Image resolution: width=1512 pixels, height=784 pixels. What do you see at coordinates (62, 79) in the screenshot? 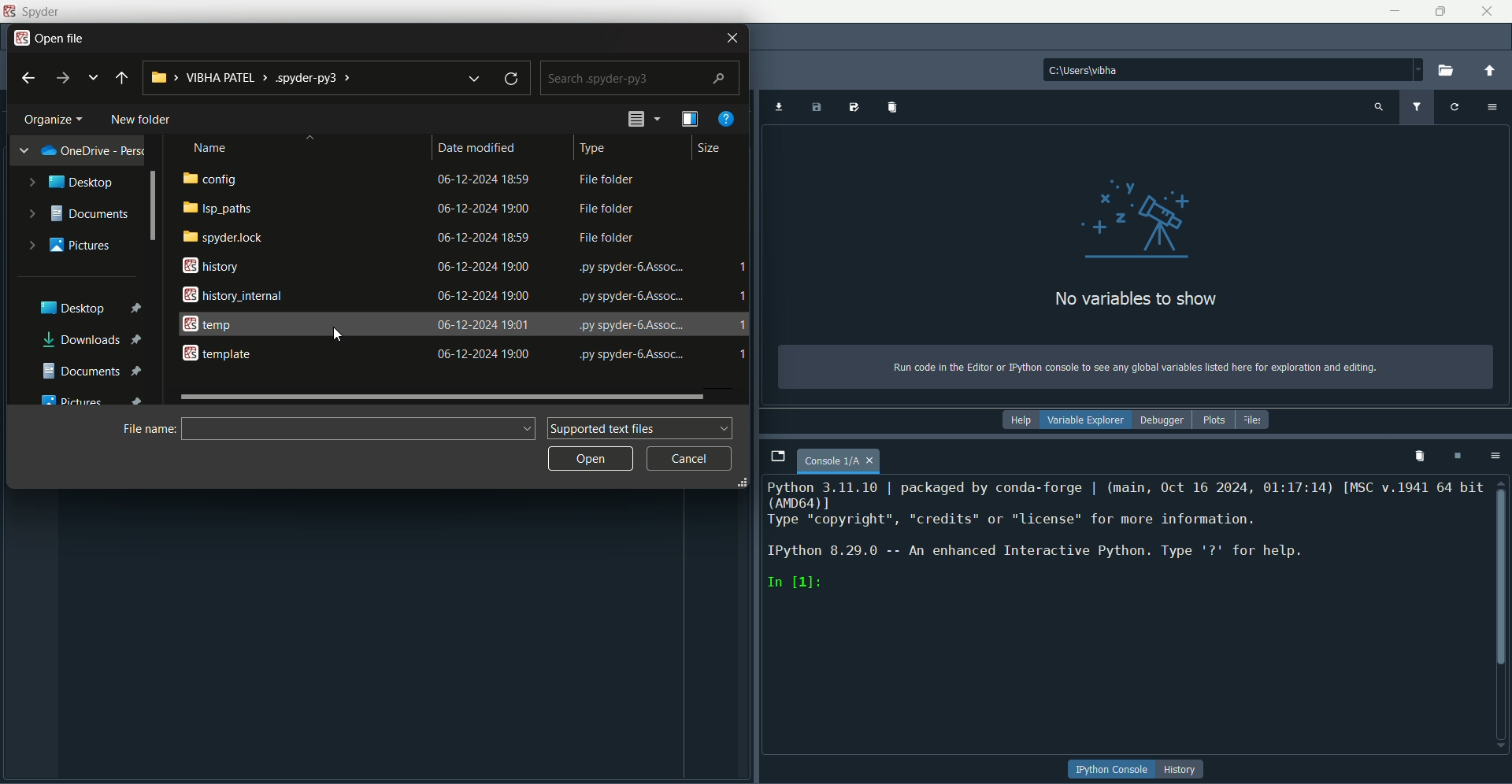
I see `next` at bounding box center [62, 79].